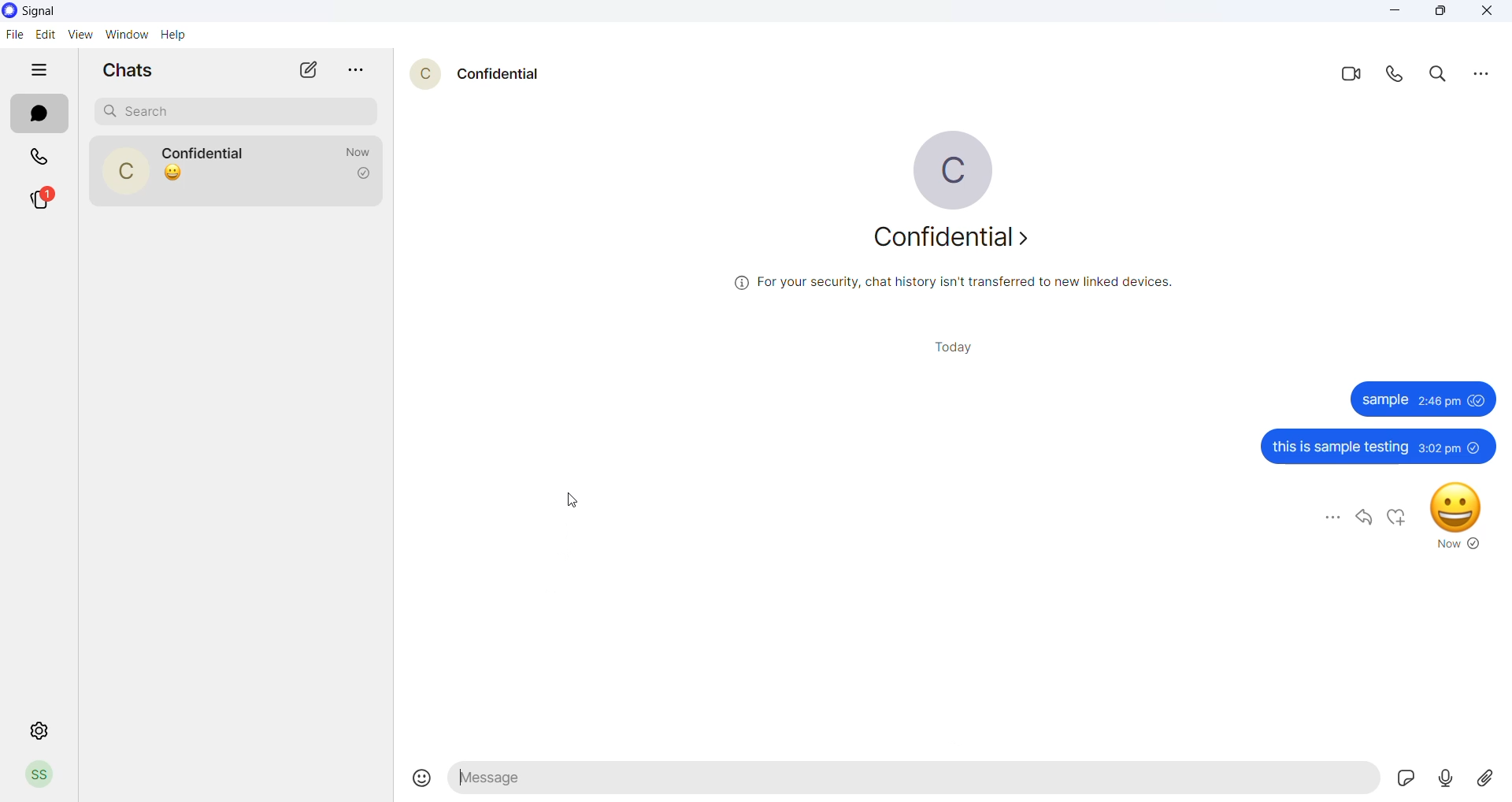 This screenshot has width=1512, height=802. Describe the element at coordinates (37, 71) in the screenshot. I see `hide` at that location.